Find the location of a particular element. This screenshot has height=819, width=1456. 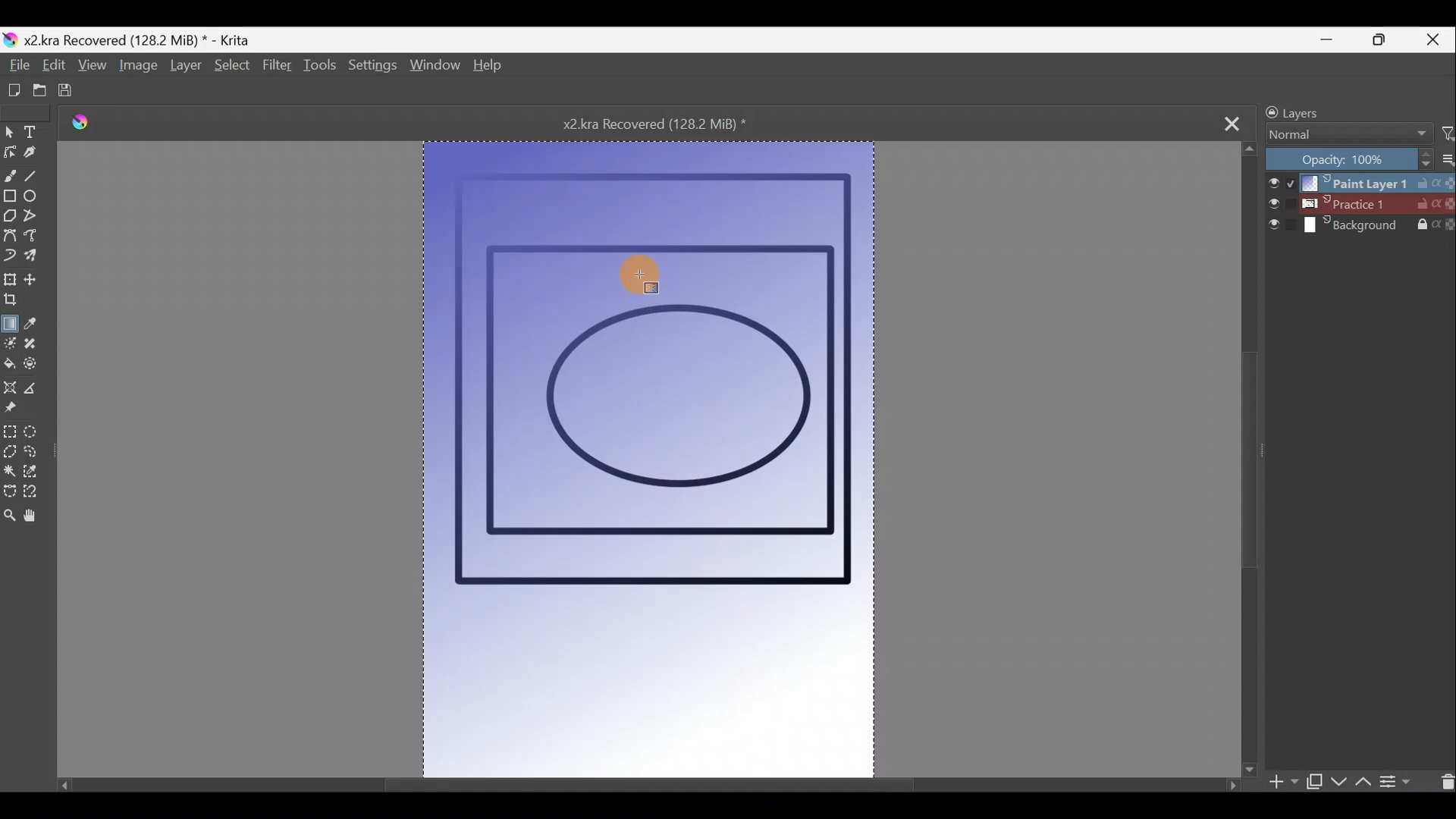

Help is located at coordinates (488, 67).